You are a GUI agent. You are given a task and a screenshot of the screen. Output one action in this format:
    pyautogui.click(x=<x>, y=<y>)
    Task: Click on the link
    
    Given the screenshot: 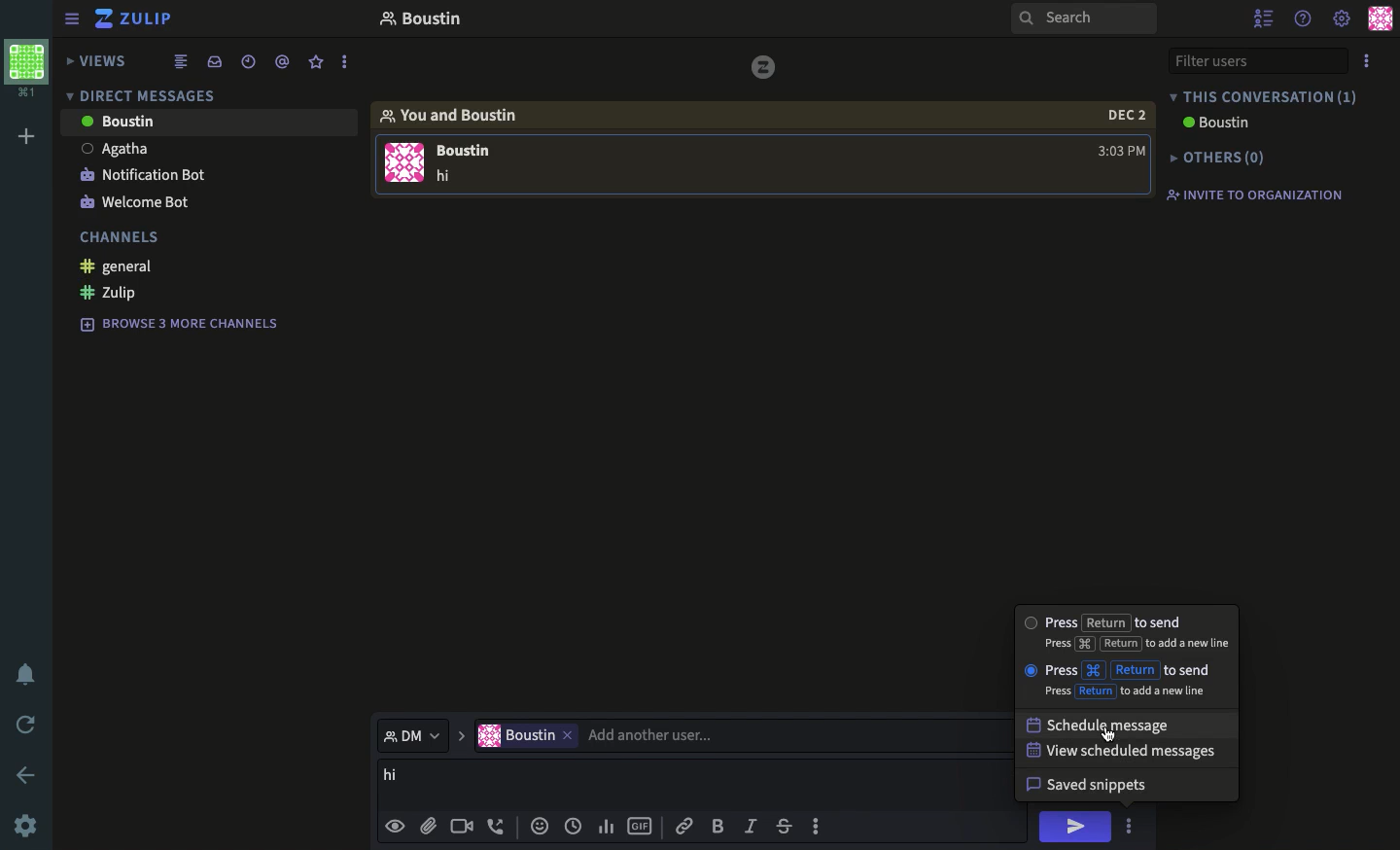 What is the action you would take?
    pyautogui.click(x=686, y=825)
    